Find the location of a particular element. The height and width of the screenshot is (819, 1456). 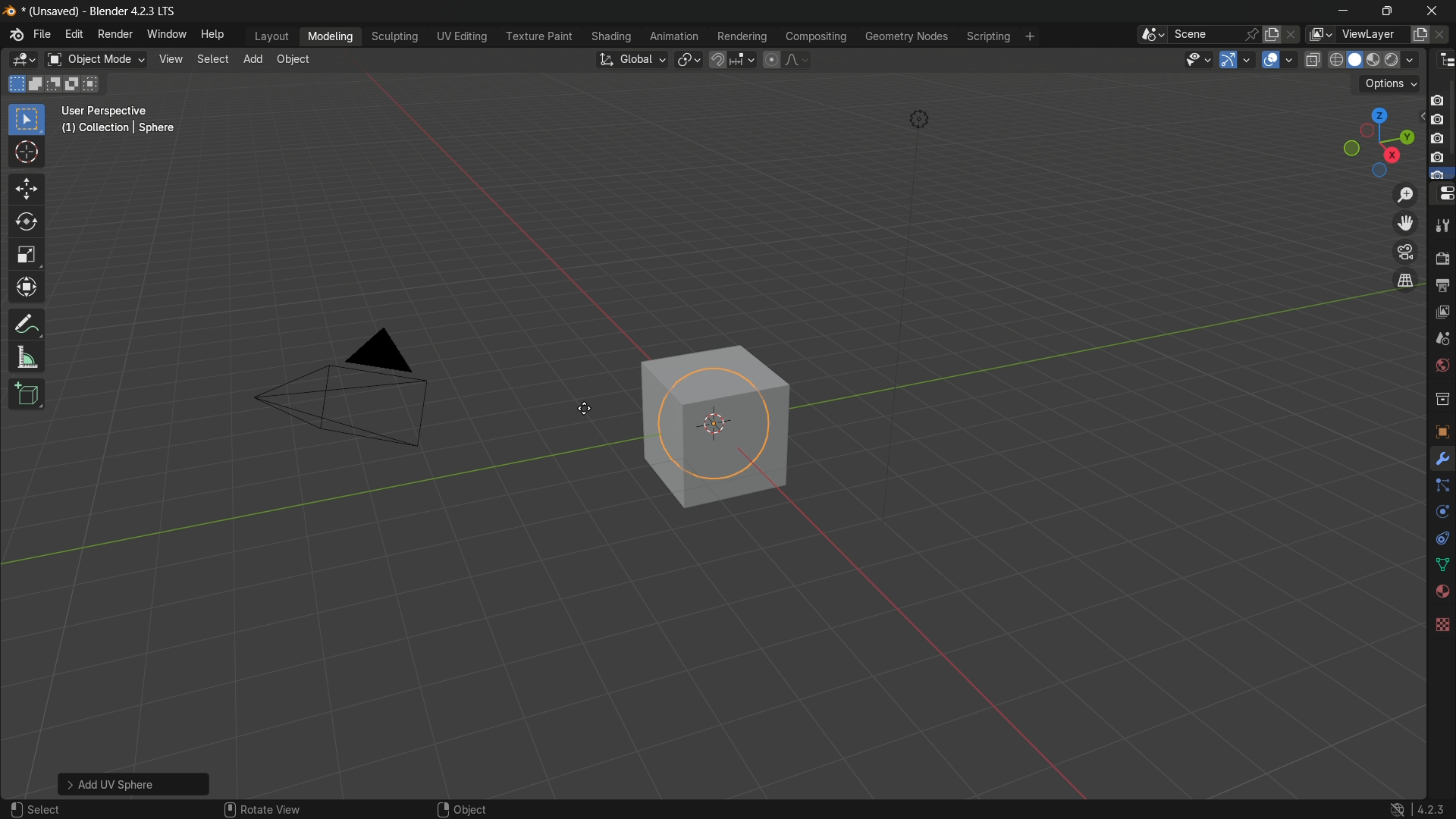

add workplace is located at coordinates (1029, 36).